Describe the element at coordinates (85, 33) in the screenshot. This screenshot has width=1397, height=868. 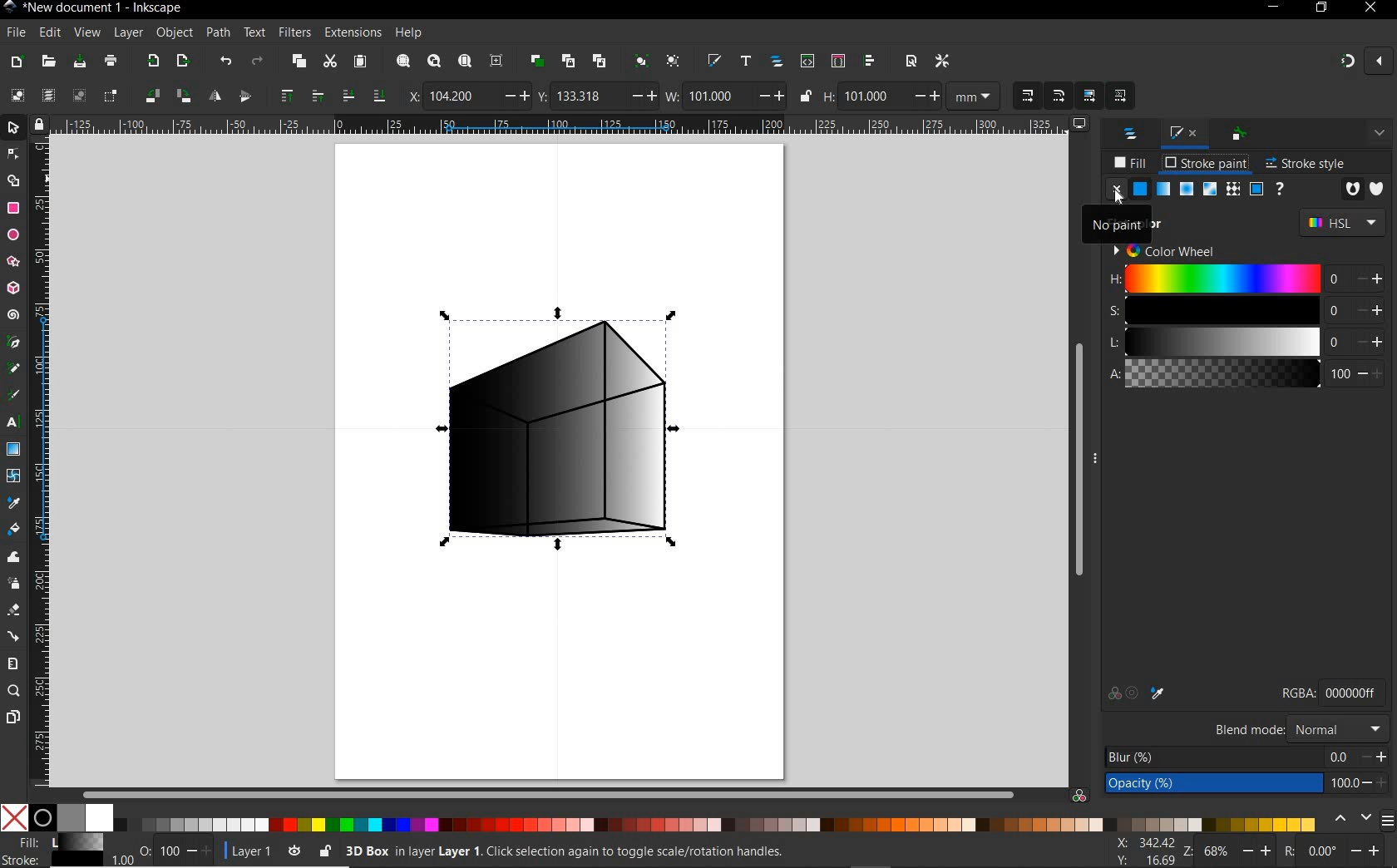
I see `VIEW` at that location.